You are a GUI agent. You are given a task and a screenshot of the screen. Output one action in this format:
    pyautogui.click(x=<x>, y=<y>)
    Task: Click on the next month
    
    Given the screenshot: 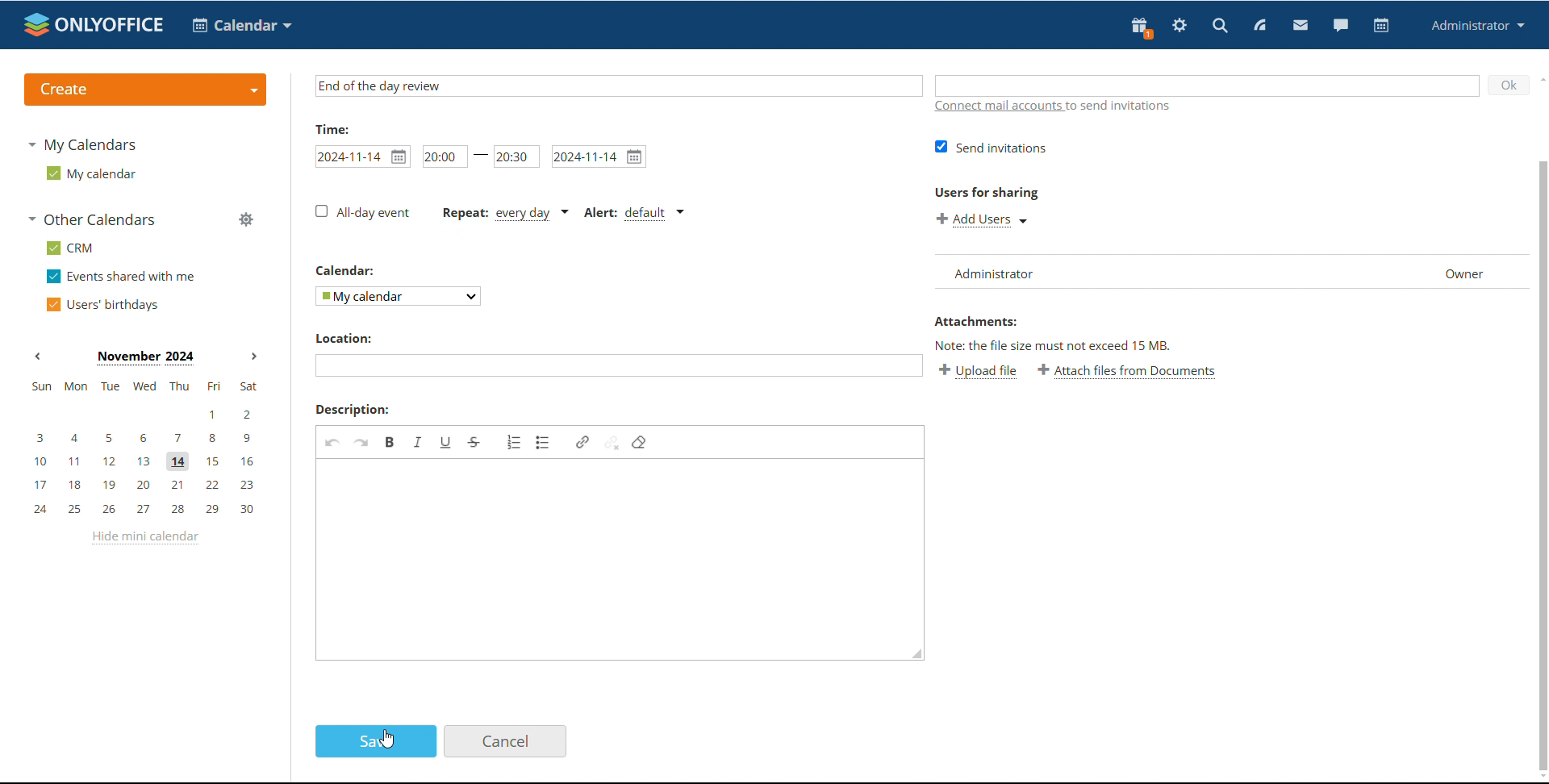 What is the action you would take?
    pyautogui.click(x=254, y=357)
    